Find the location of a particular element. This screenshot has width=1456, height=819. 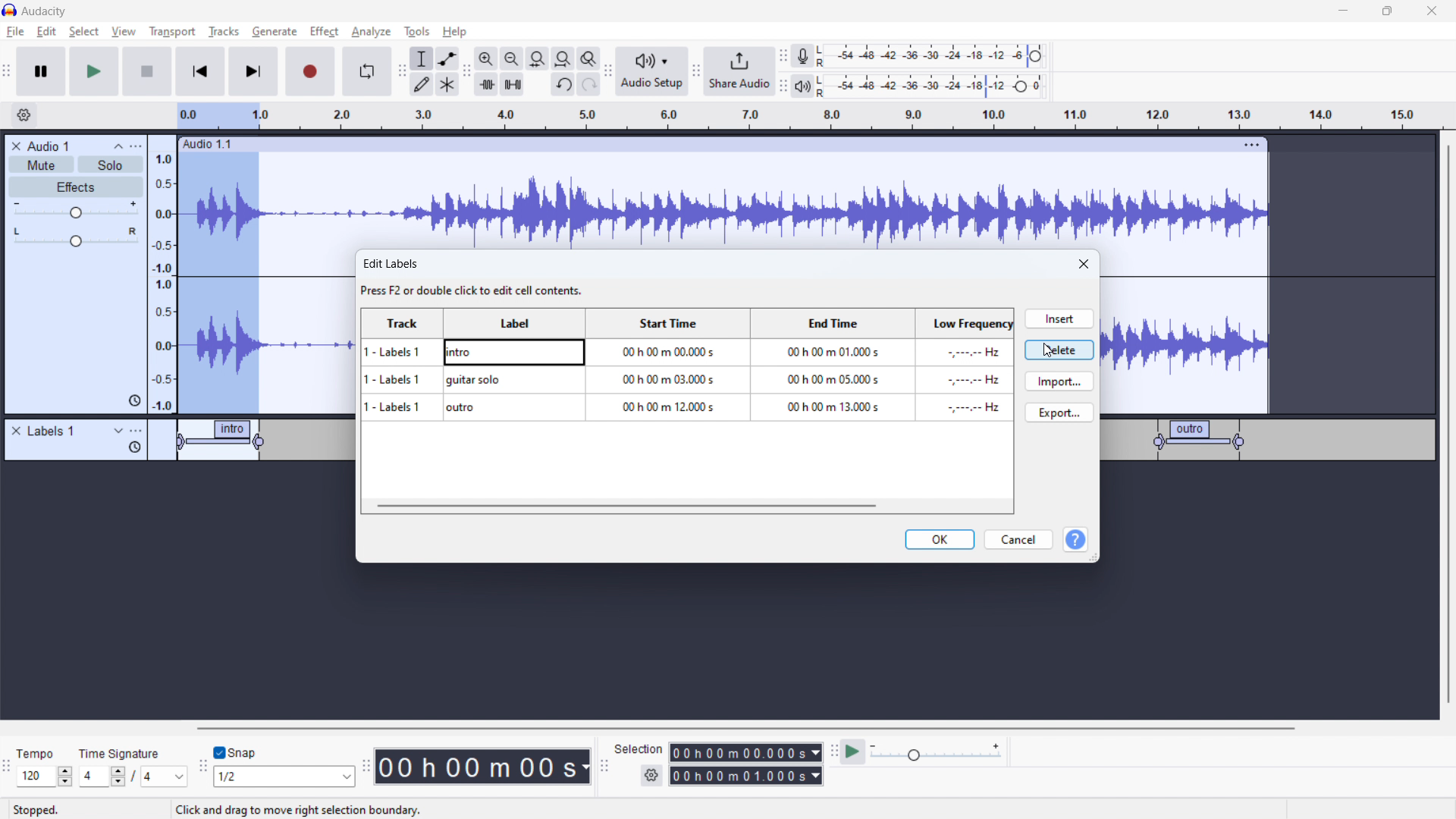

undo is located at coordinates (589, 84).